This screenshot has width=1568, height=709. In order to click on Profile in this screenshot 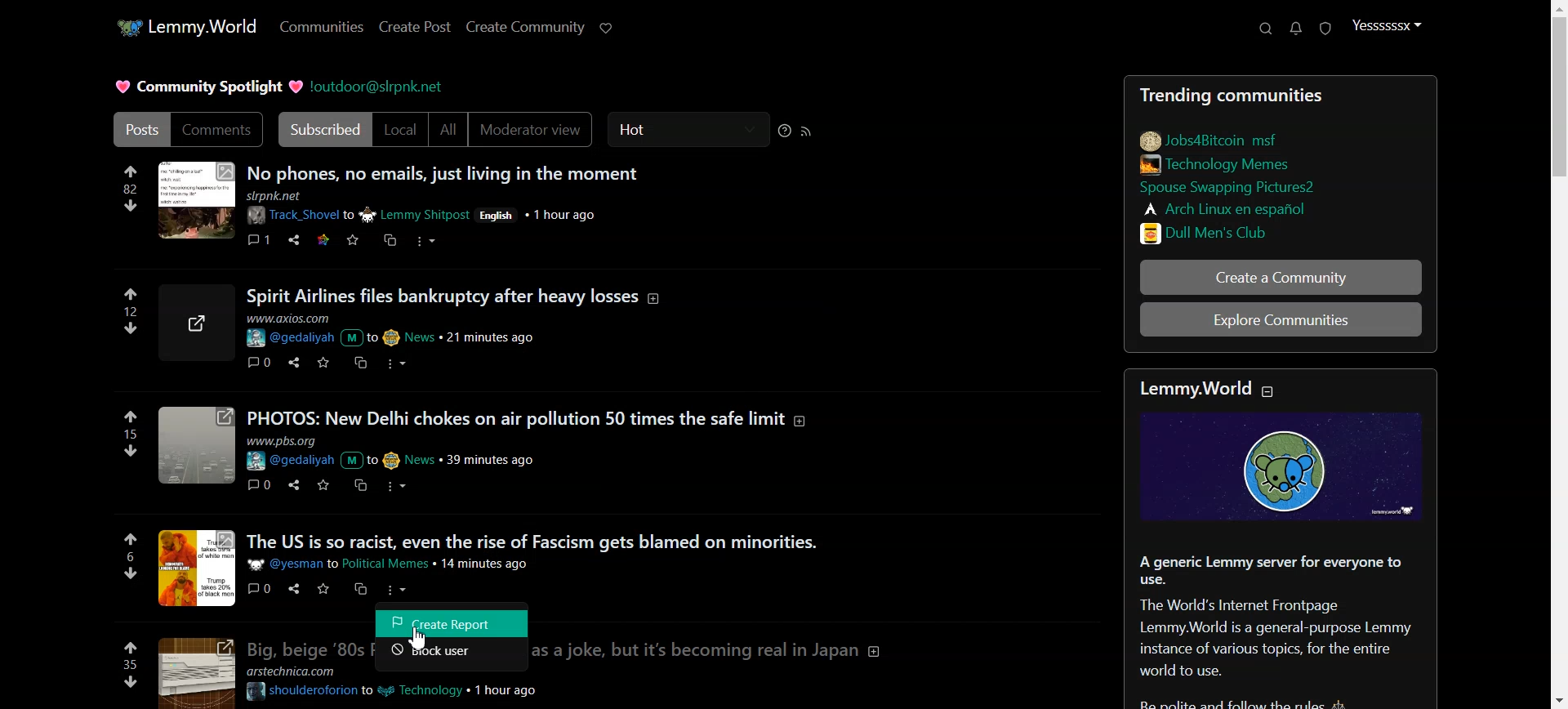, I will do `click(1387, 26)`.